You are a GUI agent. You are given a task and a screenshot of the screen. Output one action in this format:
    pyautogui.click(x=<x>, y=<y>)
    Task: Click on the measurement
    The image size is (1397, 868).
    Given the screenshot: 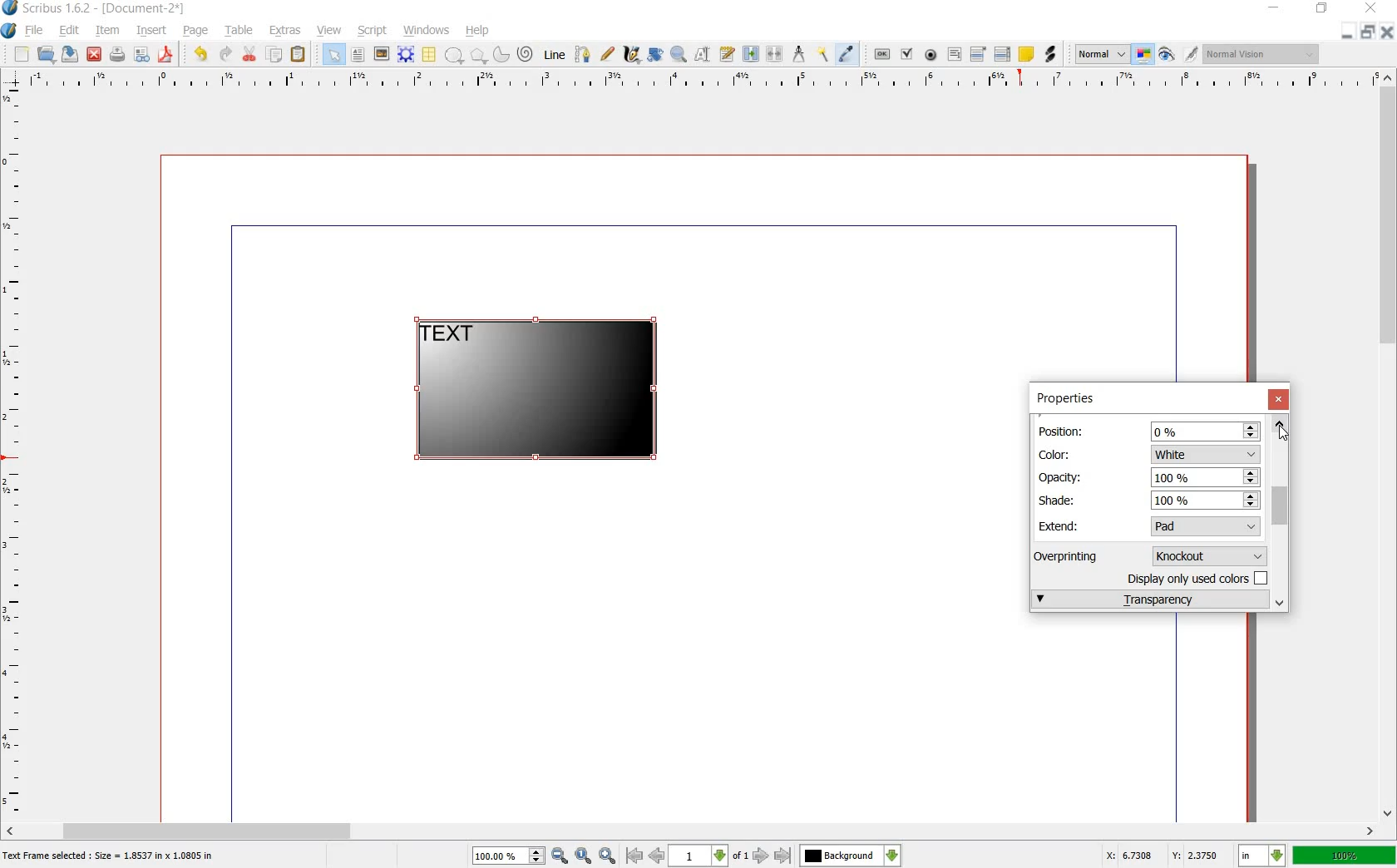 What is the action you would take?
    pyautogui.click(x=800, y=53)
    